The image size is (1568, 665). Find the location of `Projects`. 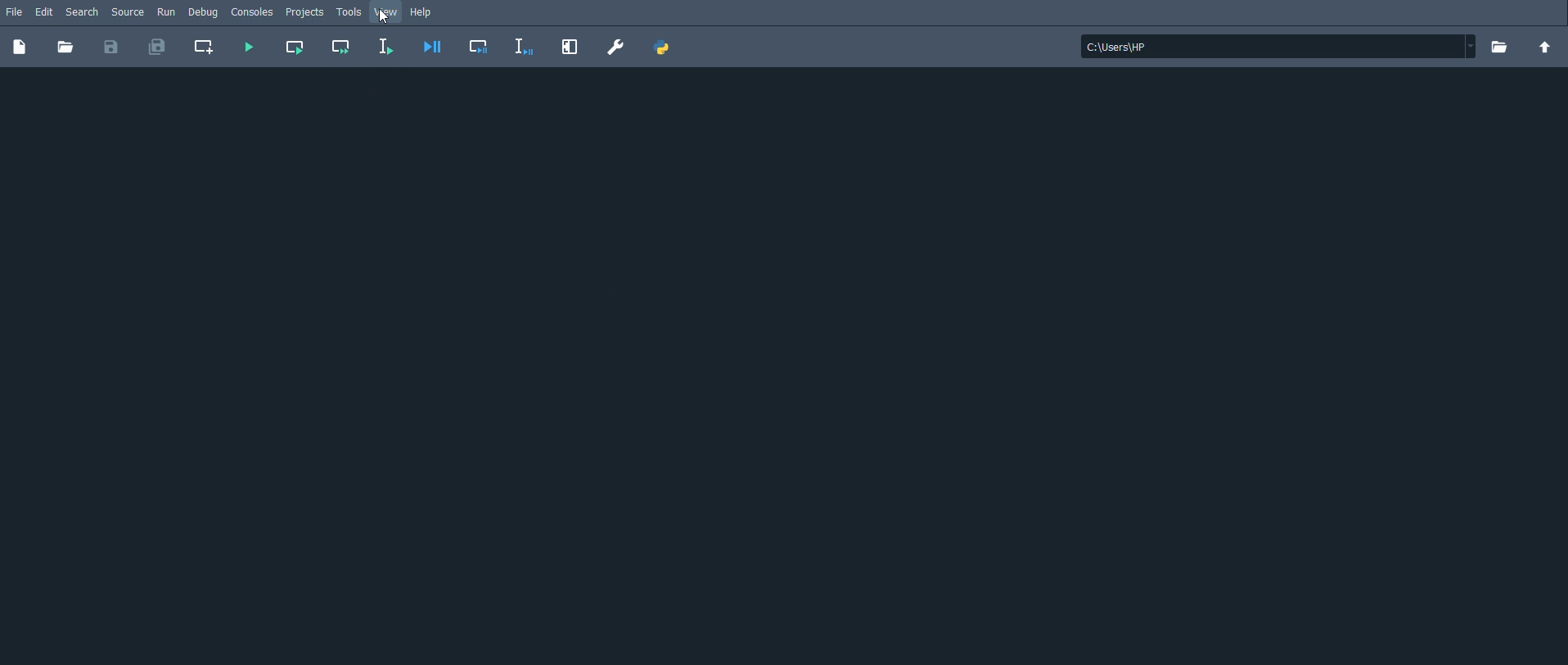

Projects is located at coordinates (306, 13).